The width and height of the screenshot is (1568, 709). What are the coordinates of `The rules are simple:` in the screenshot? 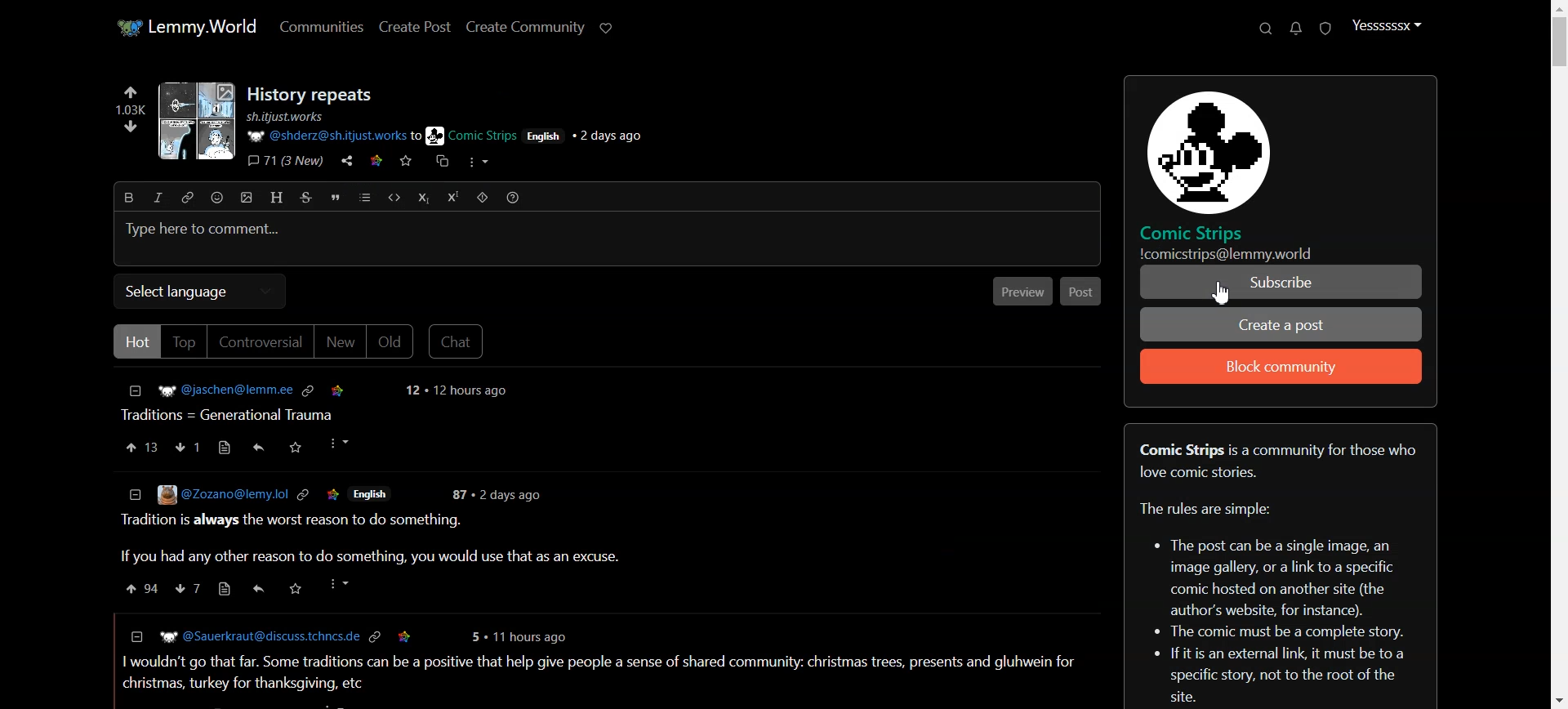 It's located at (1210, 510).